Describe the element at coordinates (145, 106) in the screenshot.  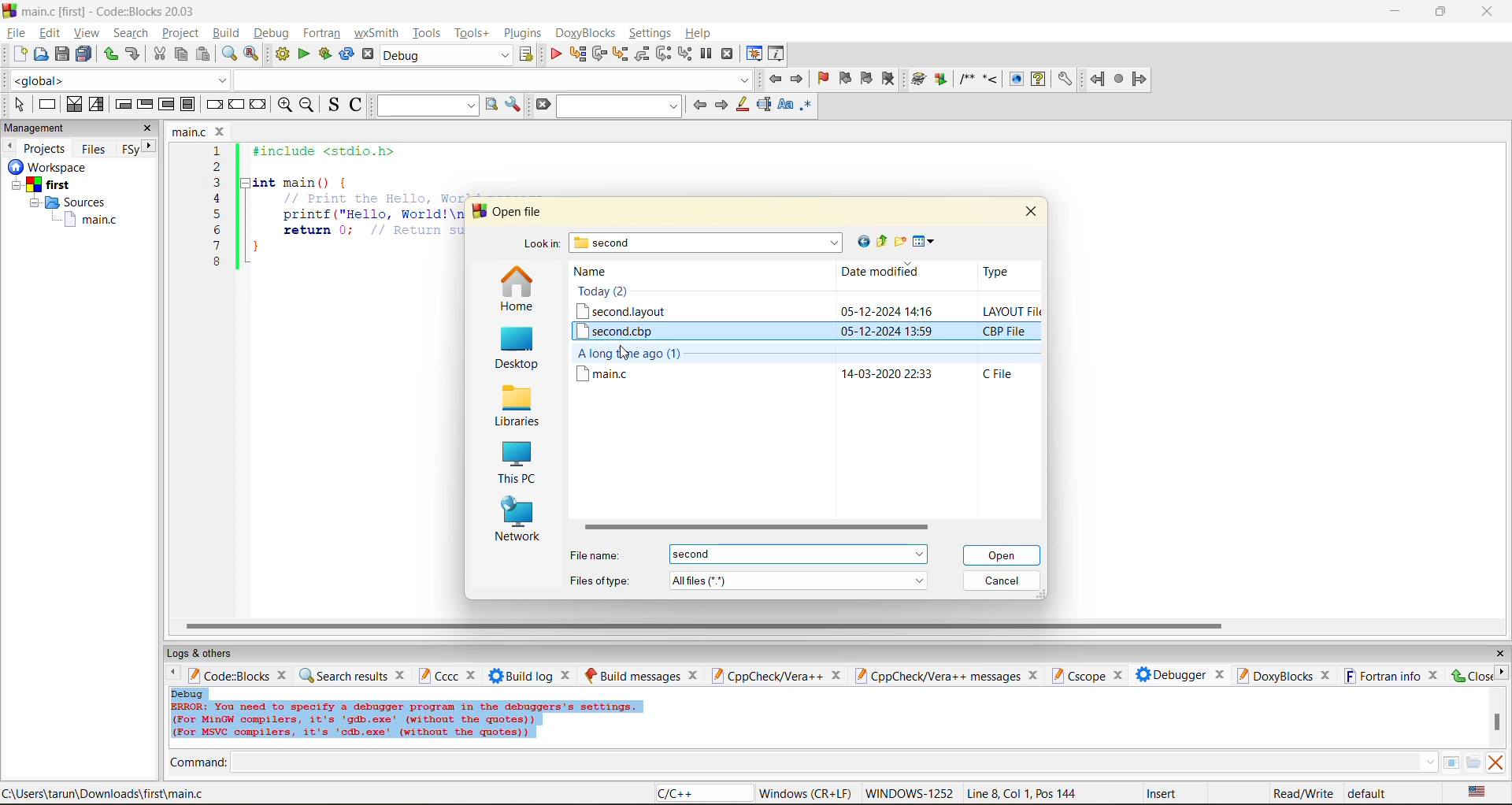
I see `exit condition loop` at that location.